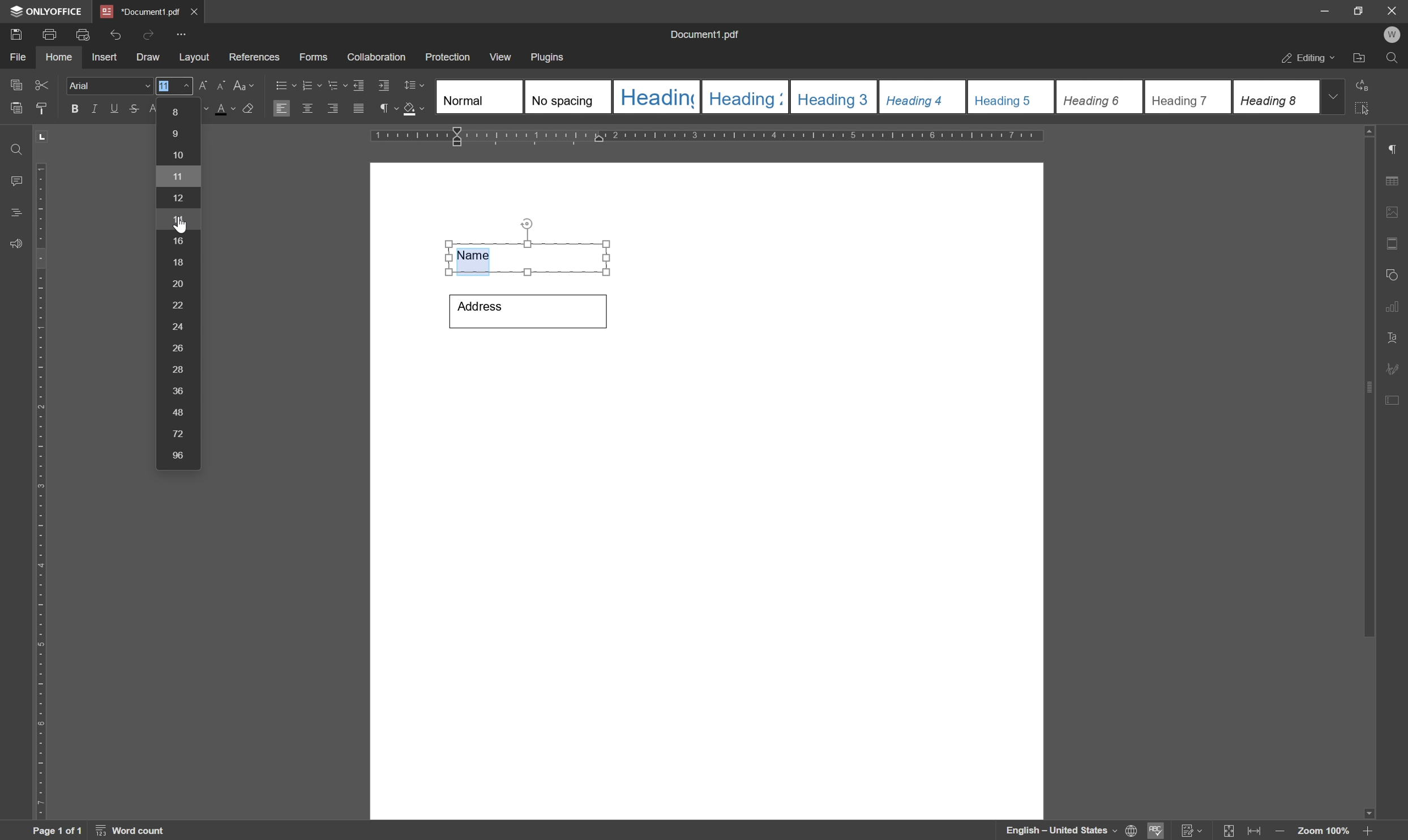  What do you see at coordinates (333, 109) in the screenshot?
I see `Align right` at bounding box center [333, 109].